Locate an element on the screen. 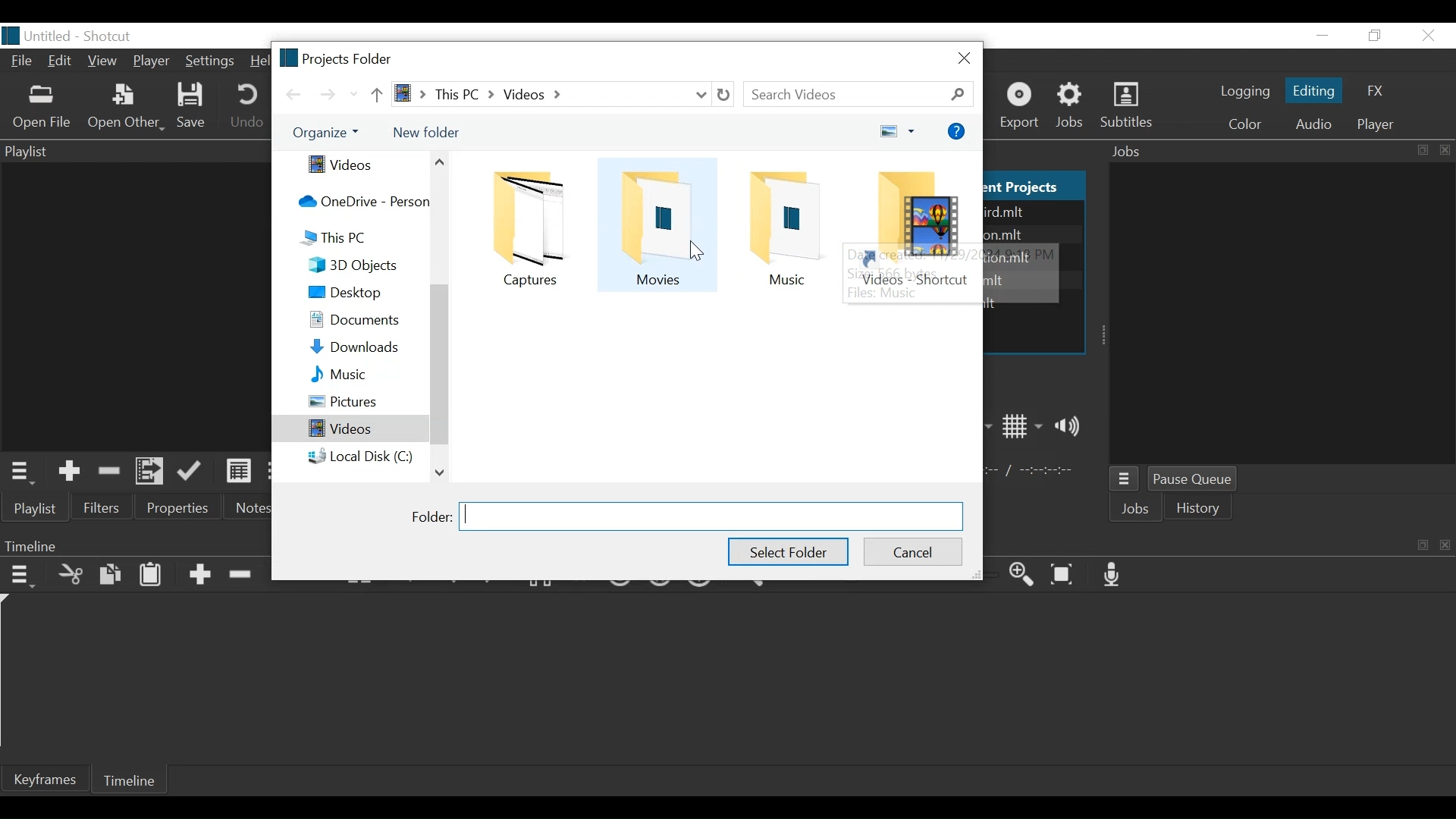  File name is located at coordinates (37, 36).